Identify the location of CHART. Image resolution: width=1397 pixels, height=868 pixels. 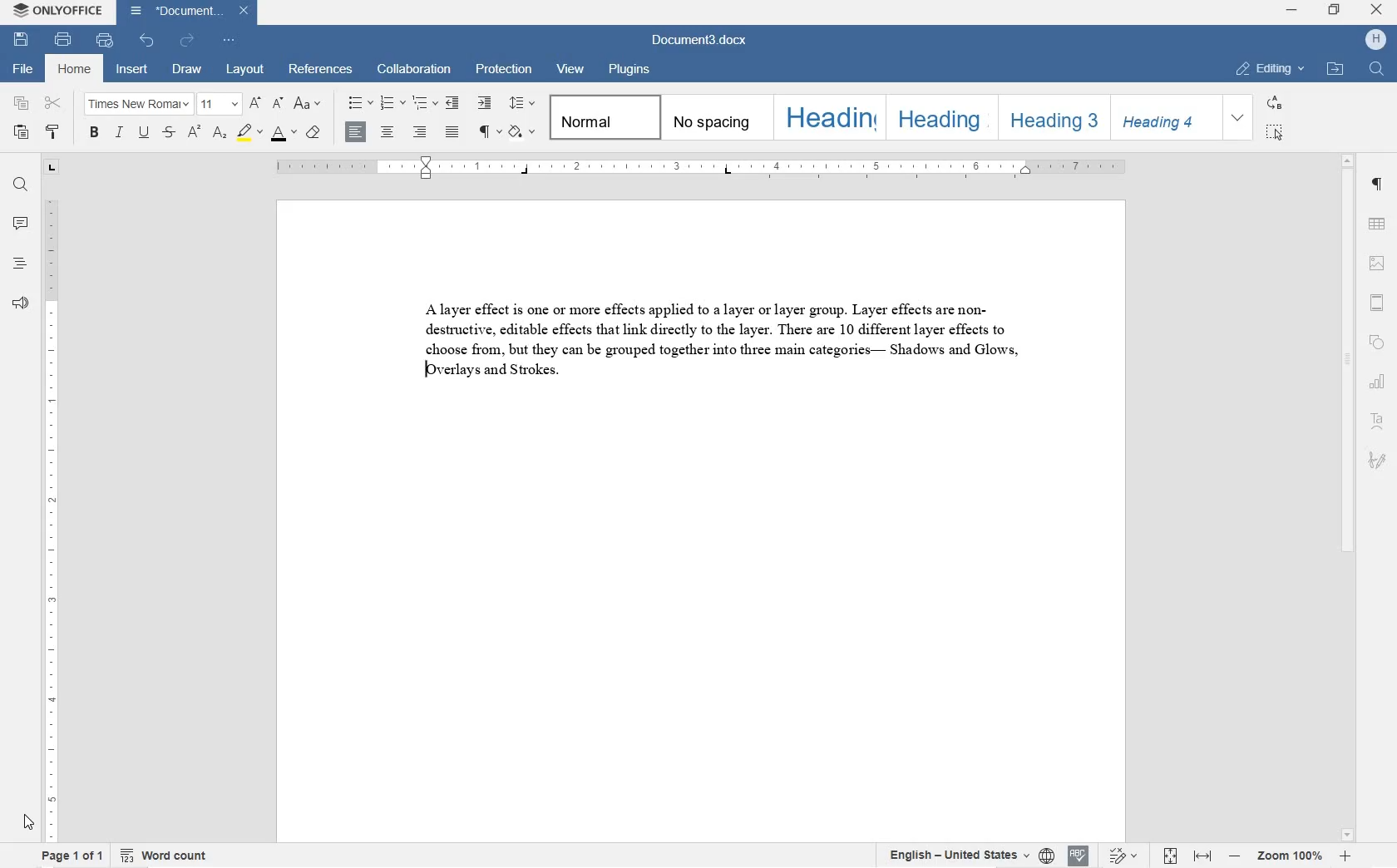
(1377, 379).